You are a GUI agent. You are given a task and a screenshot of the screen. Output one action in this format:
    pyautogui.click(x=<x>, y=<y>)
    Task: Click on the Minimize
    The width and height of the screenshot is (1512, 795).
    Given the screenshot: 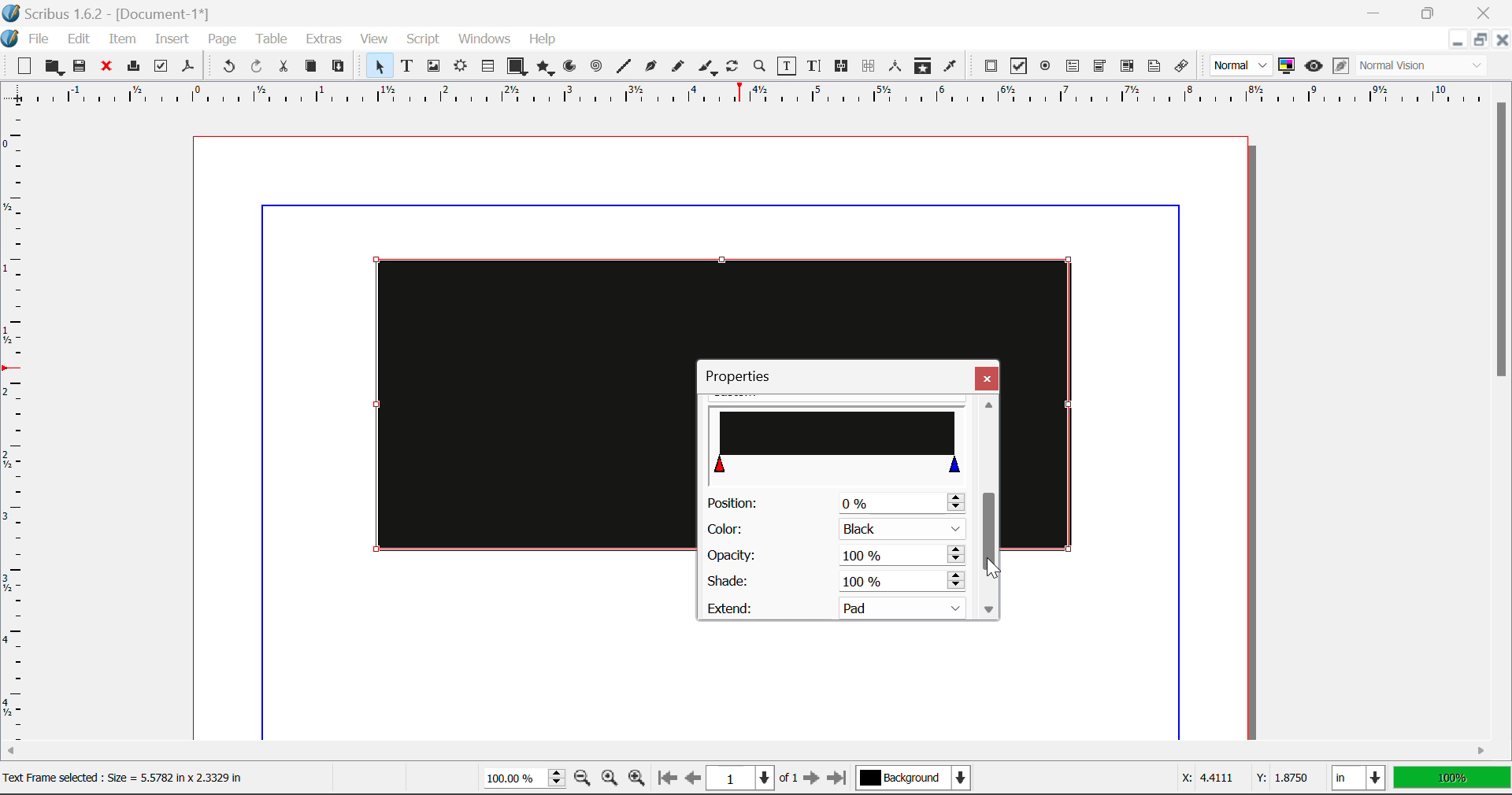 What is the action you would take?
    pyautogui.click(x=1478, y=39)
    